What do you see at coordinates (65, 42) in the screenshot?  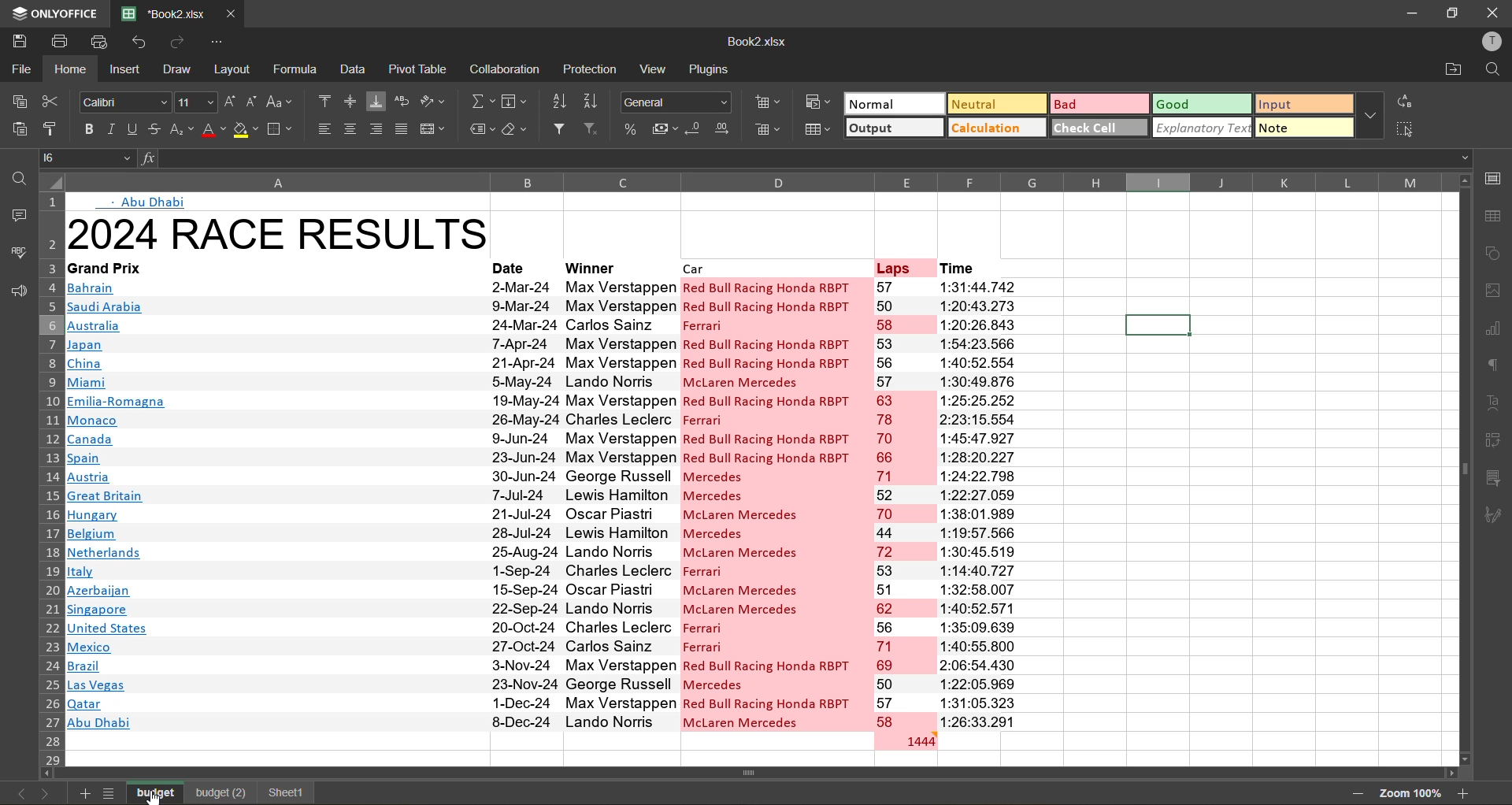 I see `print` at bounding box center [65, 42].